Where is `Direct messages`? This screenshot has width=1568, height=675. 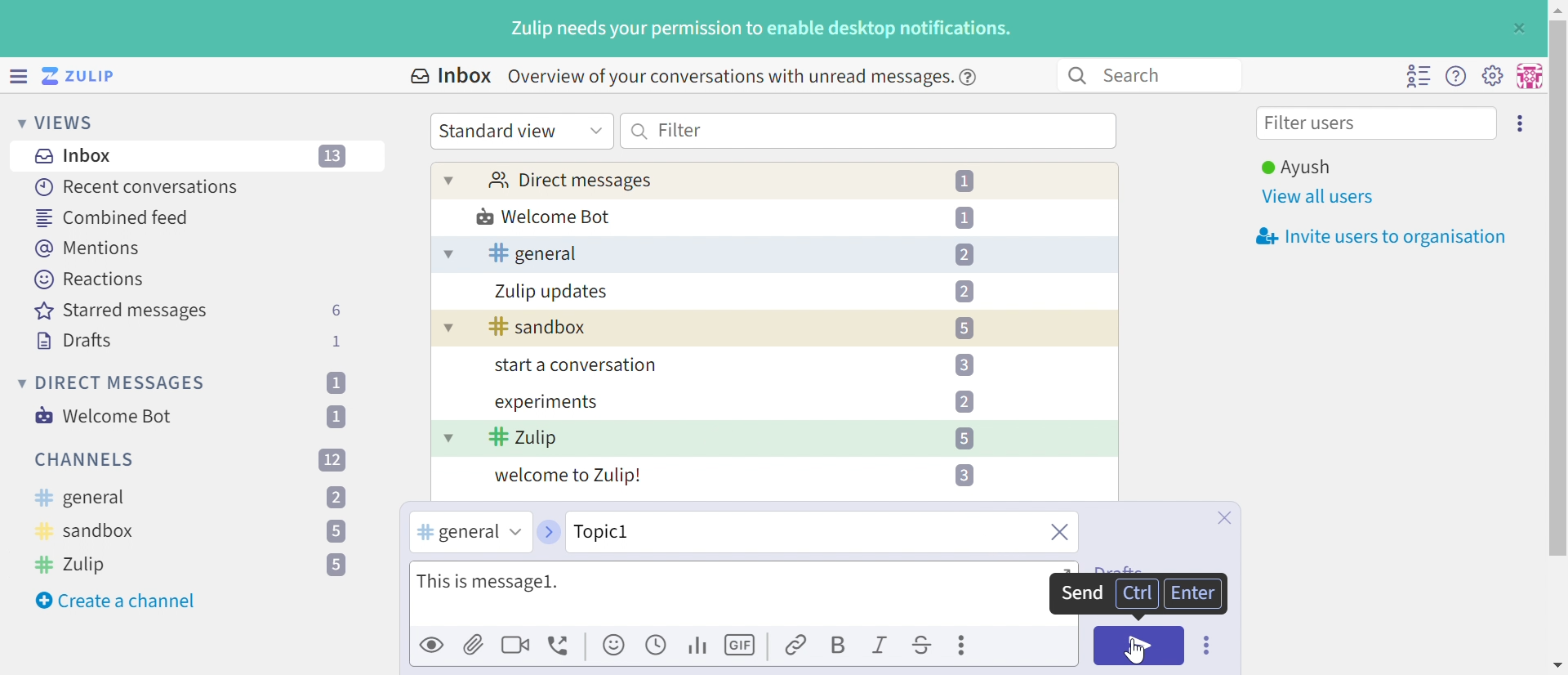
Direct messages is located at coordinates (569, 181).